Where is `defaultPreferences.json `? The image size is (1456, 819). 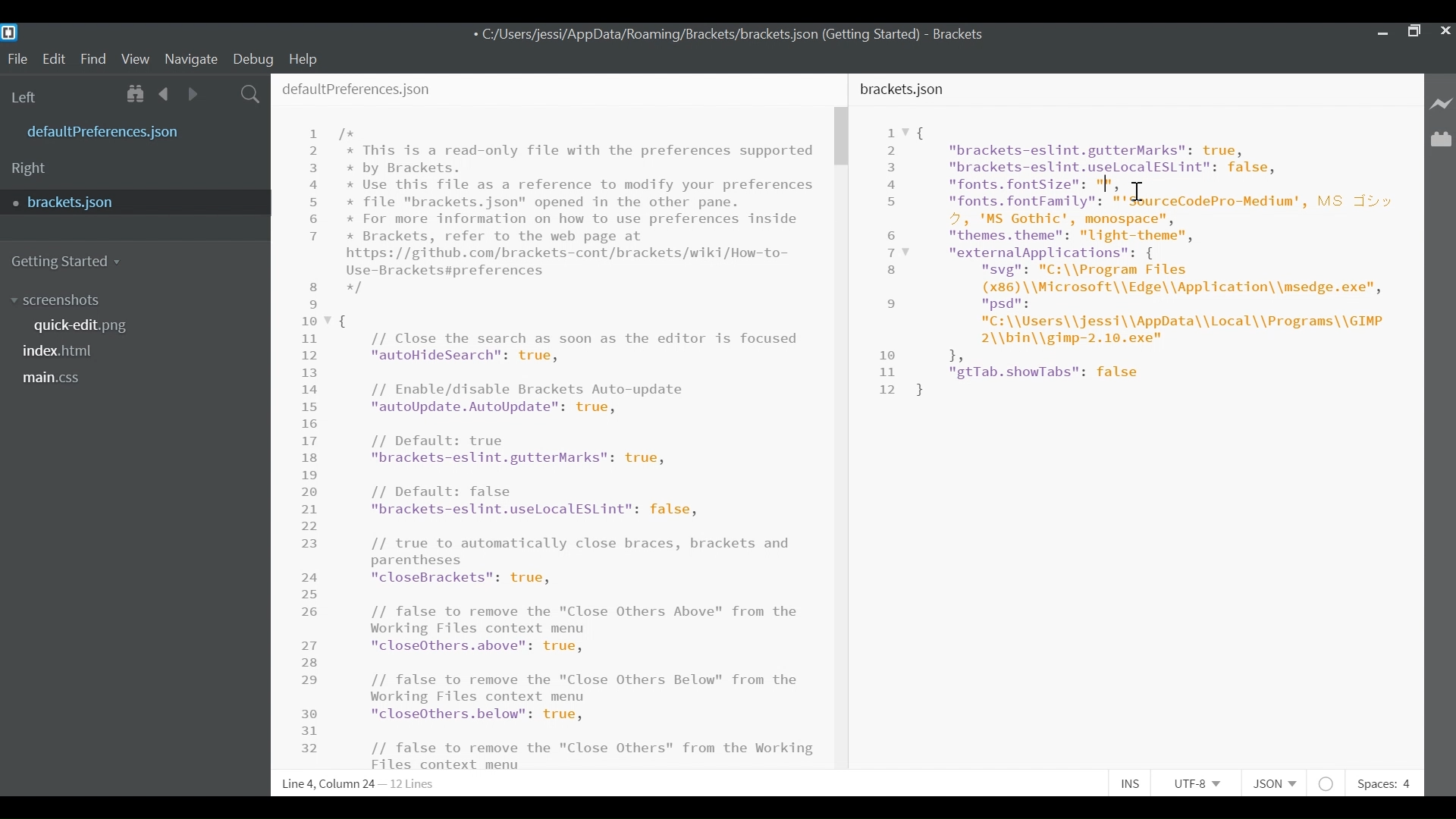
defaultPreferences.json  is located at coordinates (375, 86).